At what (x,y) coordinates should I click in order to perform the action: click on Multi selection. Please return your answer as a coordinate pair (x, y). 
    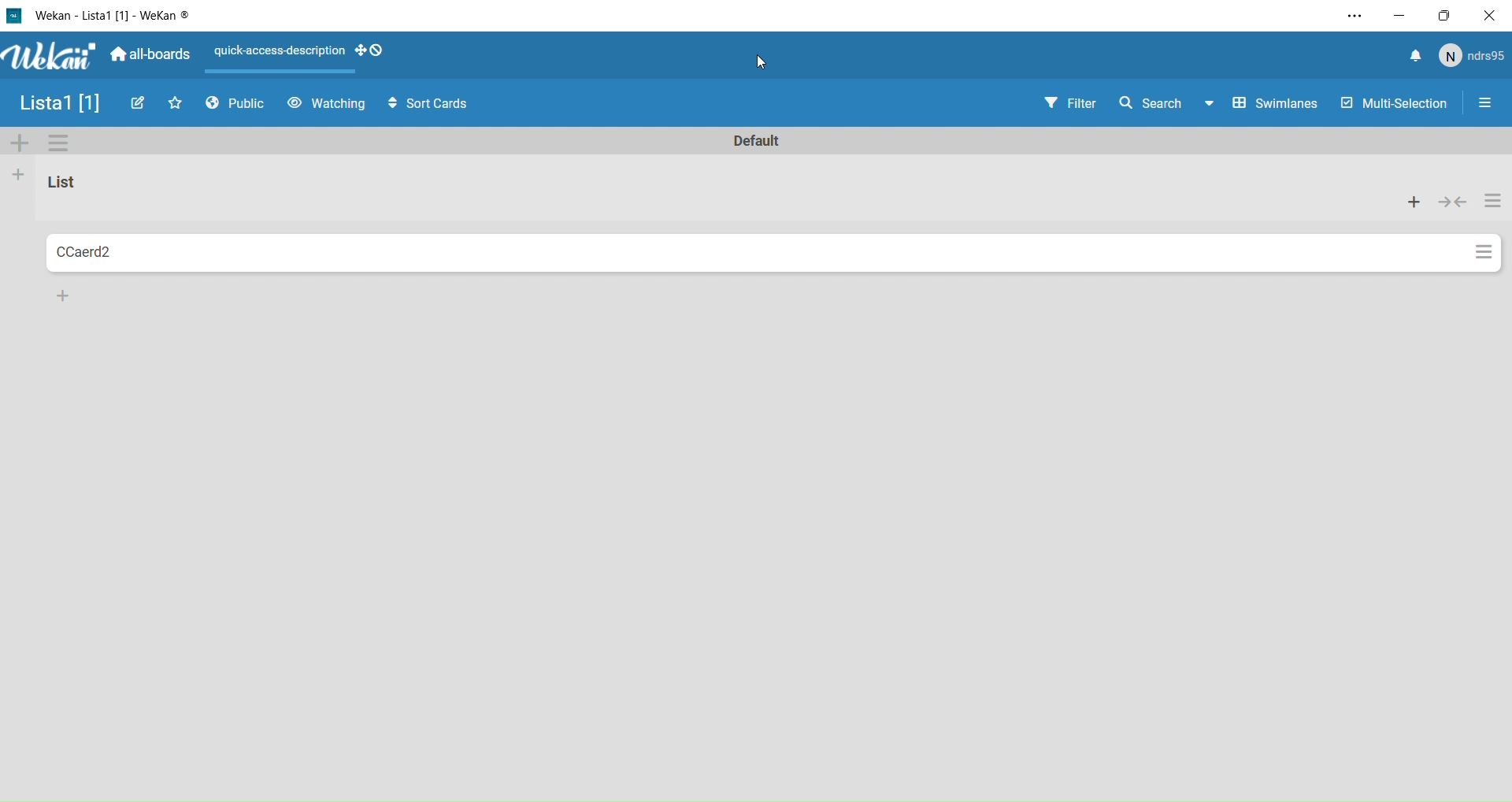
    Looking at the image, I should click on (1396, 106).